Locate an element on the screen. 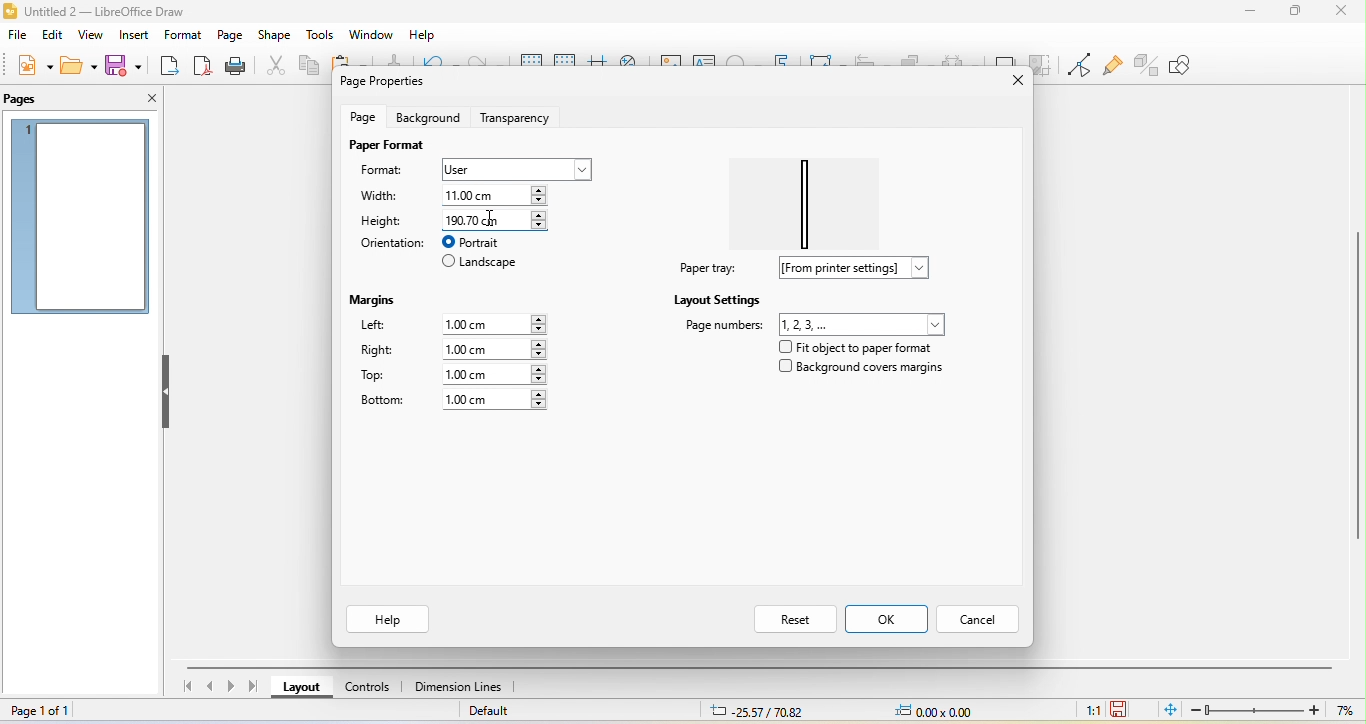  page number is located at coordinates (816, 323).